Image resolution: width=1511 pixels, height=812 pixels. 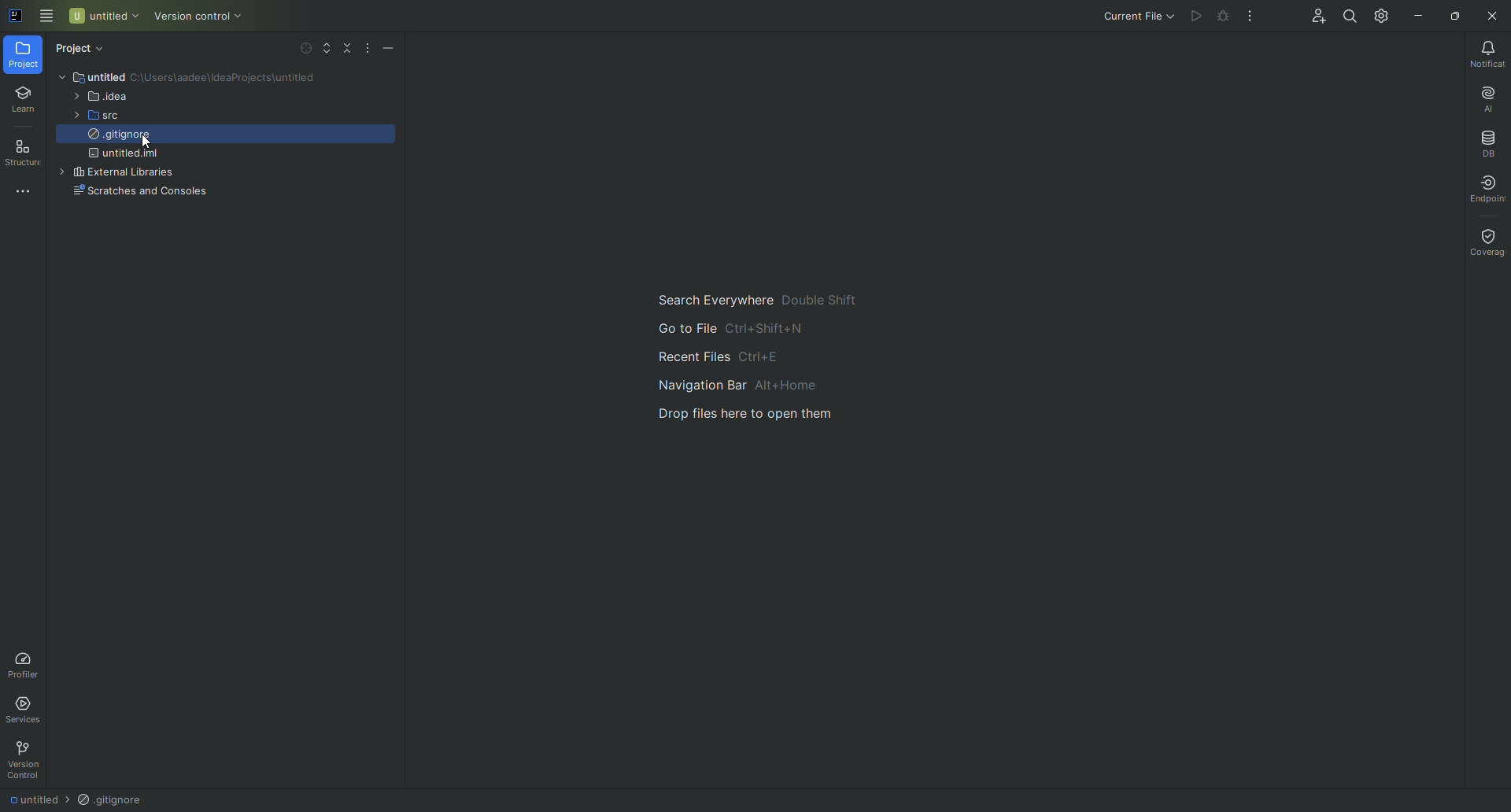 I want to click on Version control, so click(x=201, y=15).